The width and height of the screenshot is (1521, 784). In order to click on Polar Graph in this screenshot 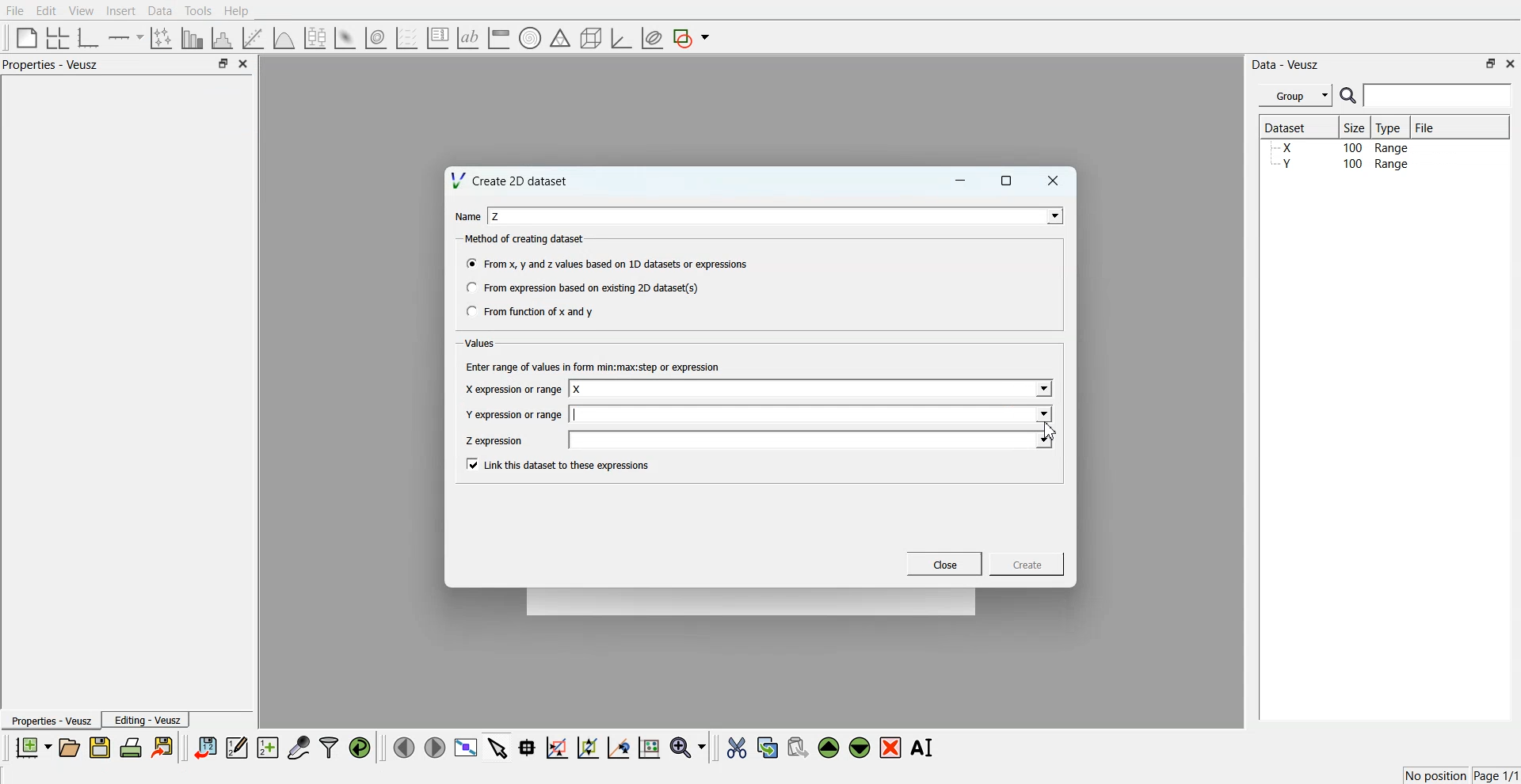, I will do `click(530, 38)`.